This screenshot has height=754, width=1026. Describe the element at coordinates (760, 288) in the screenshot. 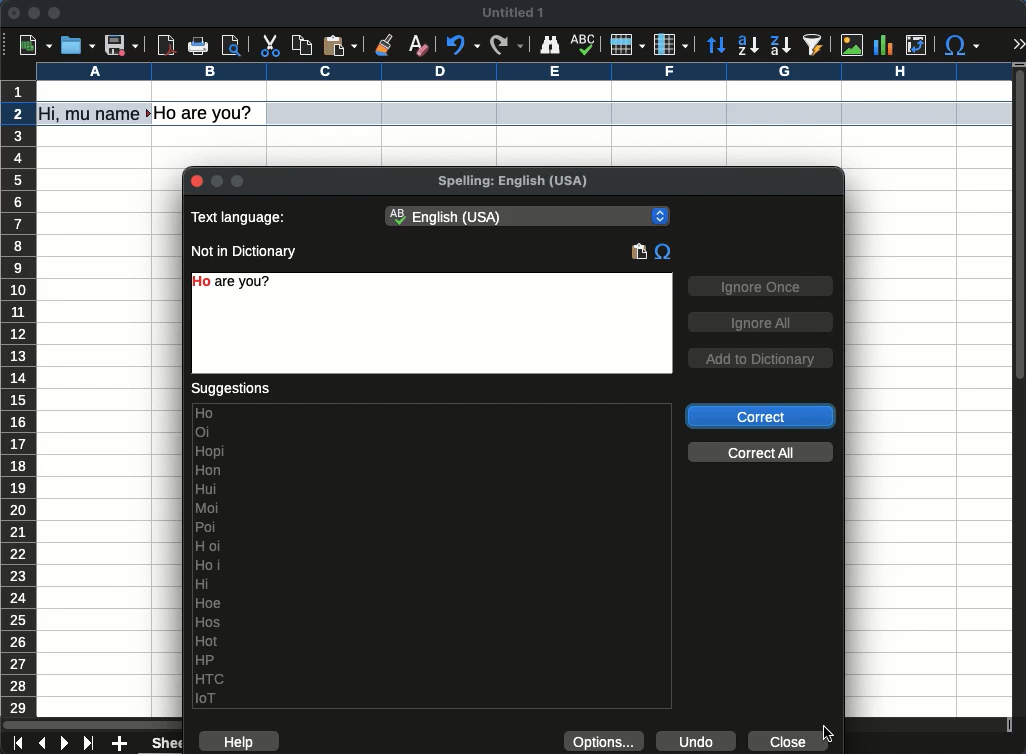

I see `ignore once` at that location.